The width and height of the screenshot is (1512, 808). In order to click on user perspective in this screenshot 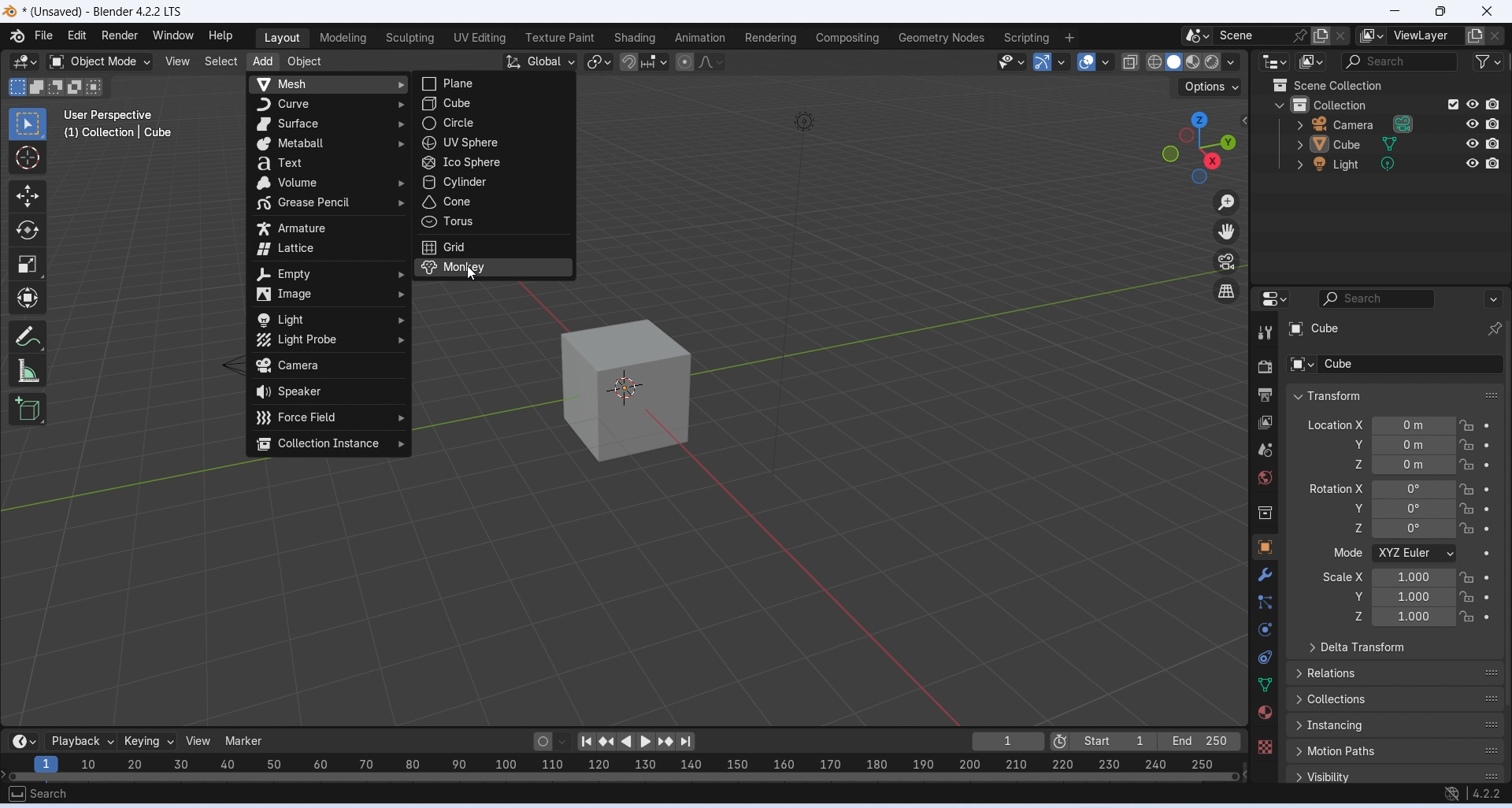, I will do `click(111, 114)`.